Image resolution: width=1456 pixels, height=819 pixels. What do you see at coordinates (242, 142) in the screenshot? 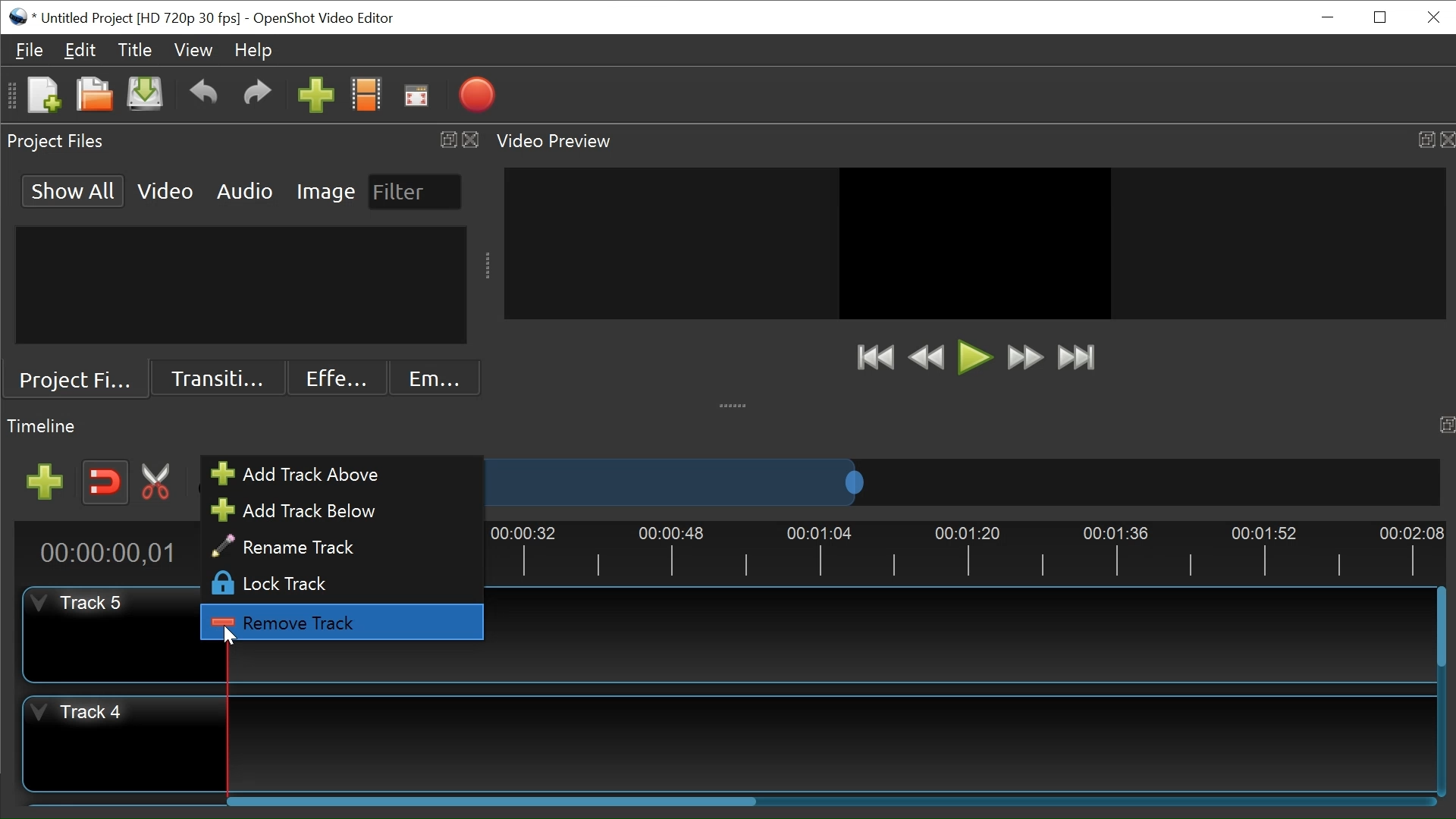
I see `Project Files` at bounding box center [242, 142].